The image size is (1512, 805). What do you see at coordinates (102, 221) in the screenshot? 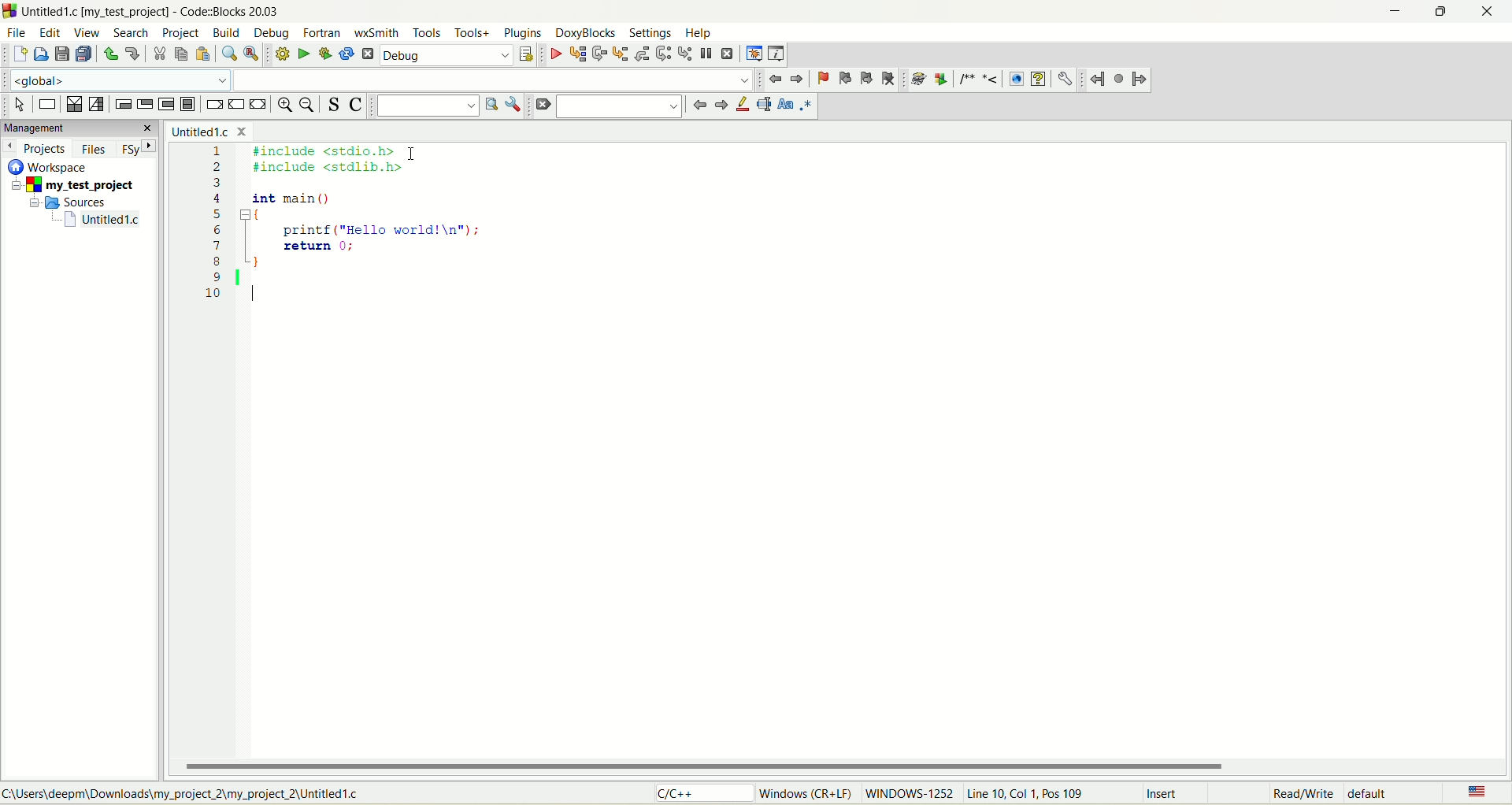
I see `untitled1.c` at bounding box center [102, 221].